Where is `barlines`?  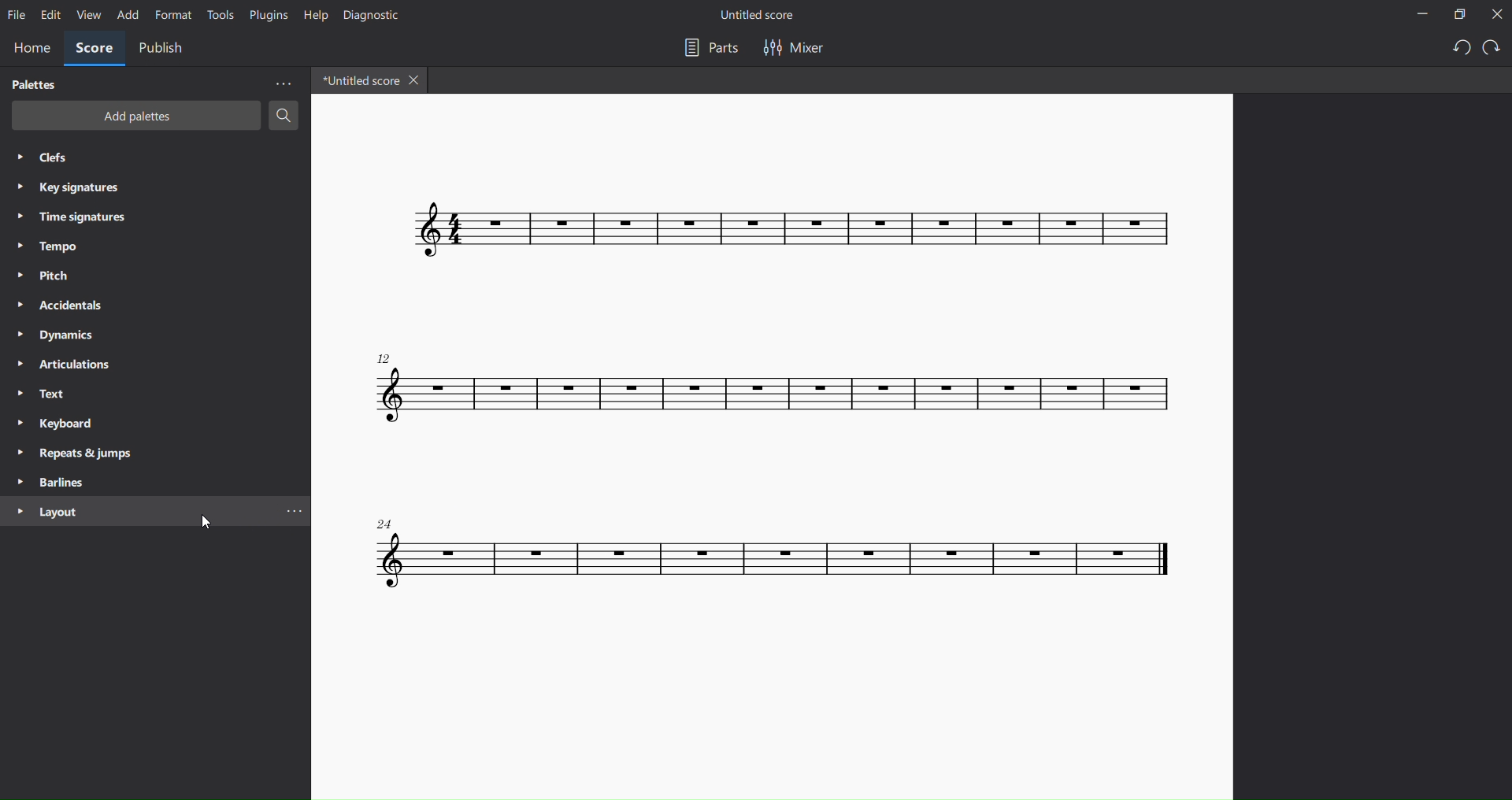 barlines is located at coordinates (53, 482).